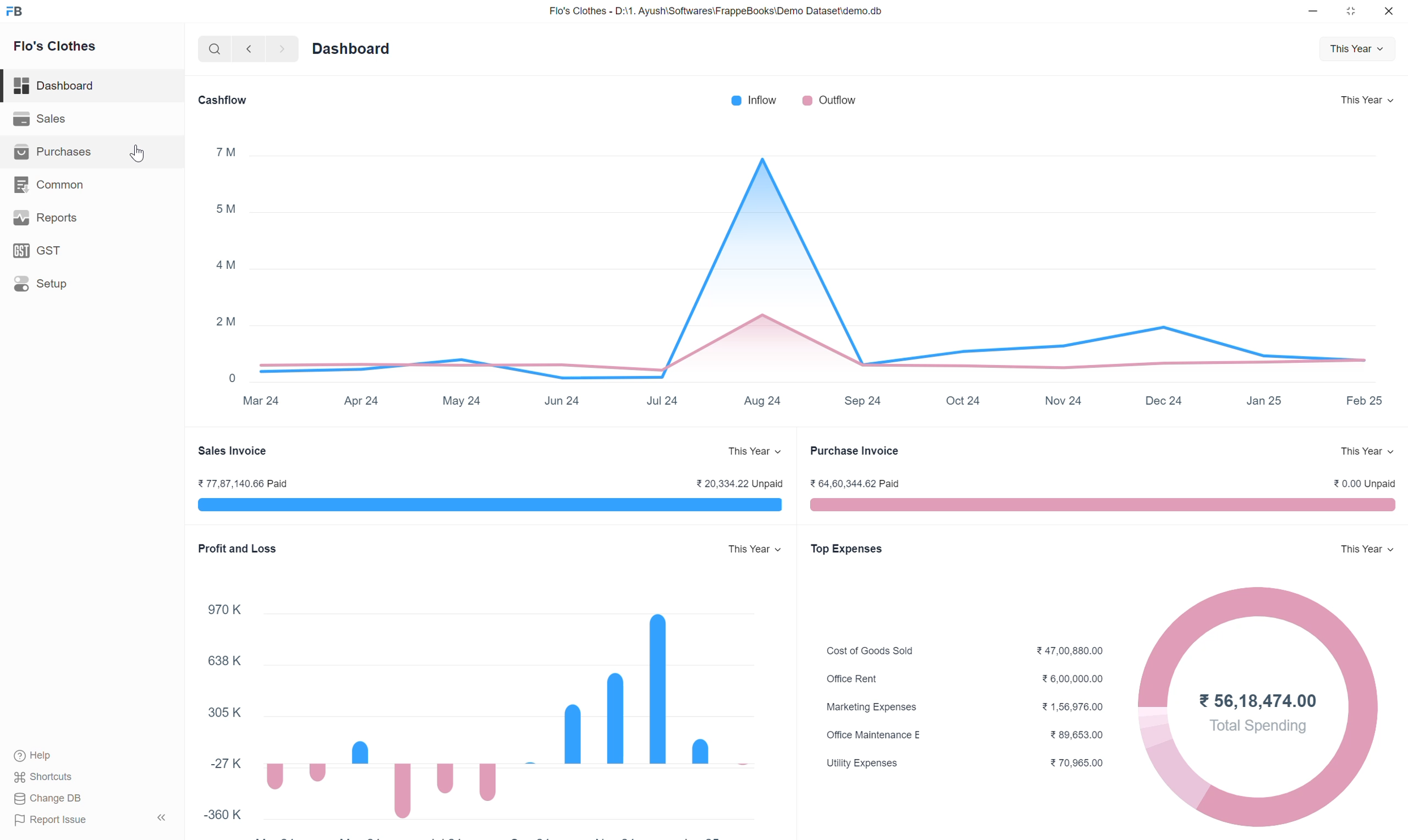 The width and height of the screenshot is (1408, 840). What do you see at coordinates (50, 799) in the screenshot?
I see `Change DB` at bounding box center [50, 799].